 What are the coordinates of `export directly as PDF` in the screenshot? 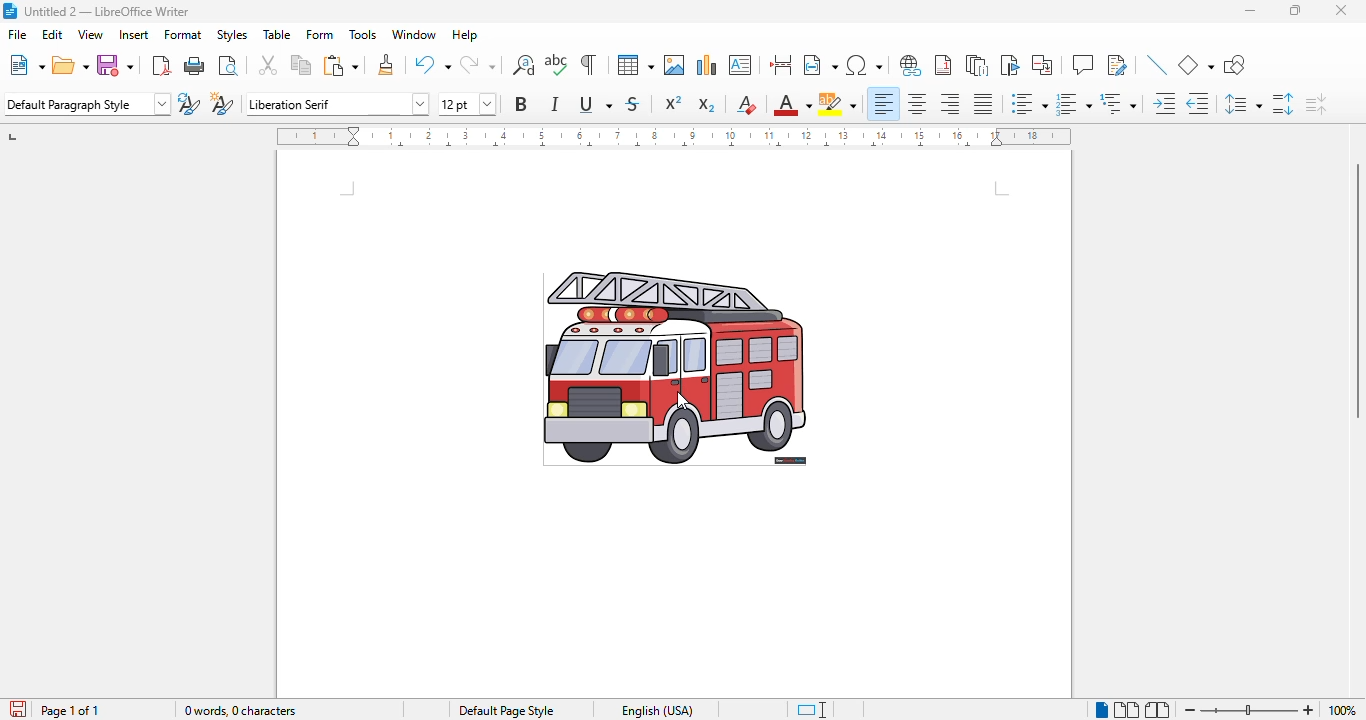 It's located at (162, 65).